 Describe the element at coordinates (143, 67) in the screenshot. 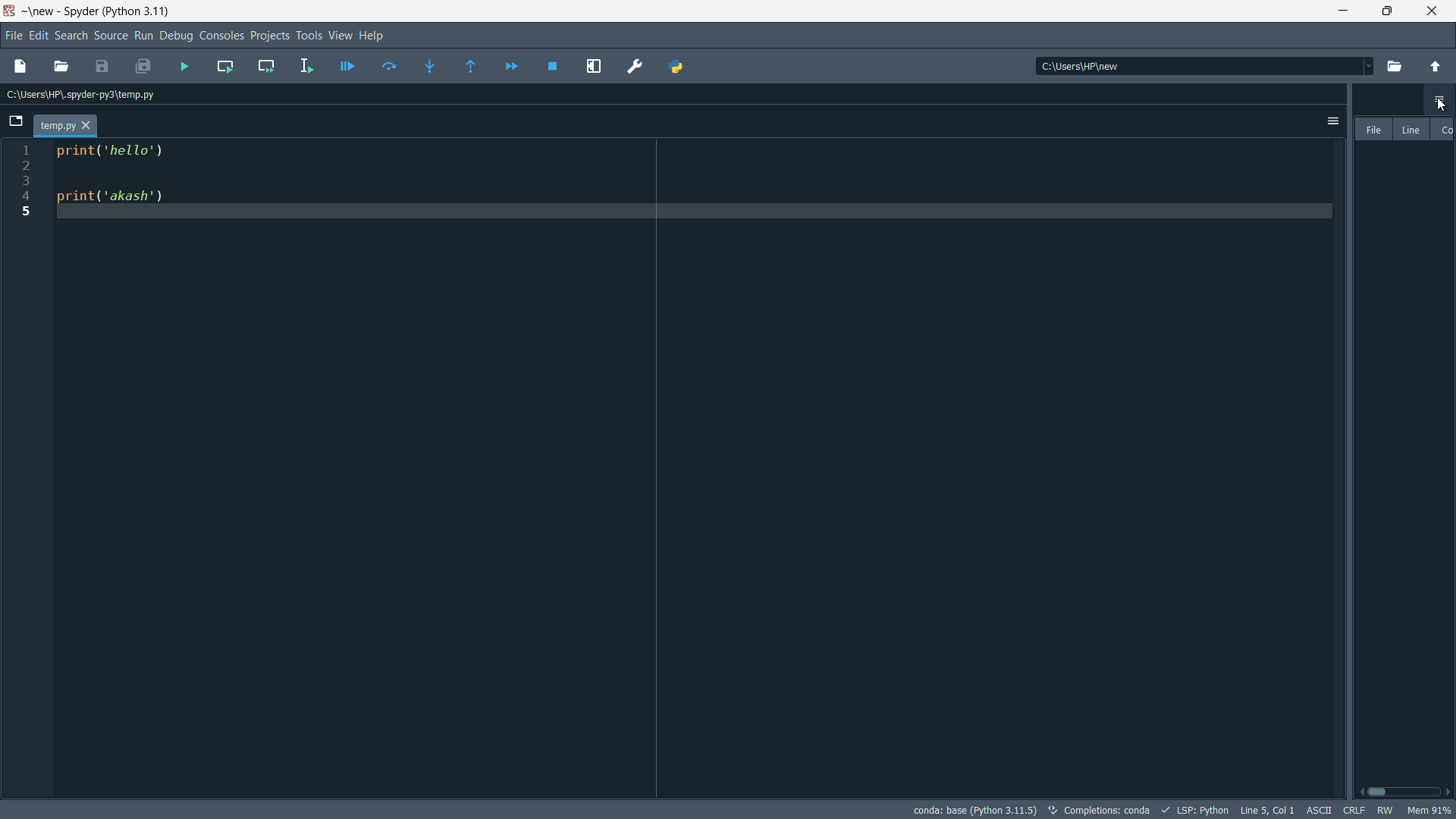

I see `save all files` at that location.